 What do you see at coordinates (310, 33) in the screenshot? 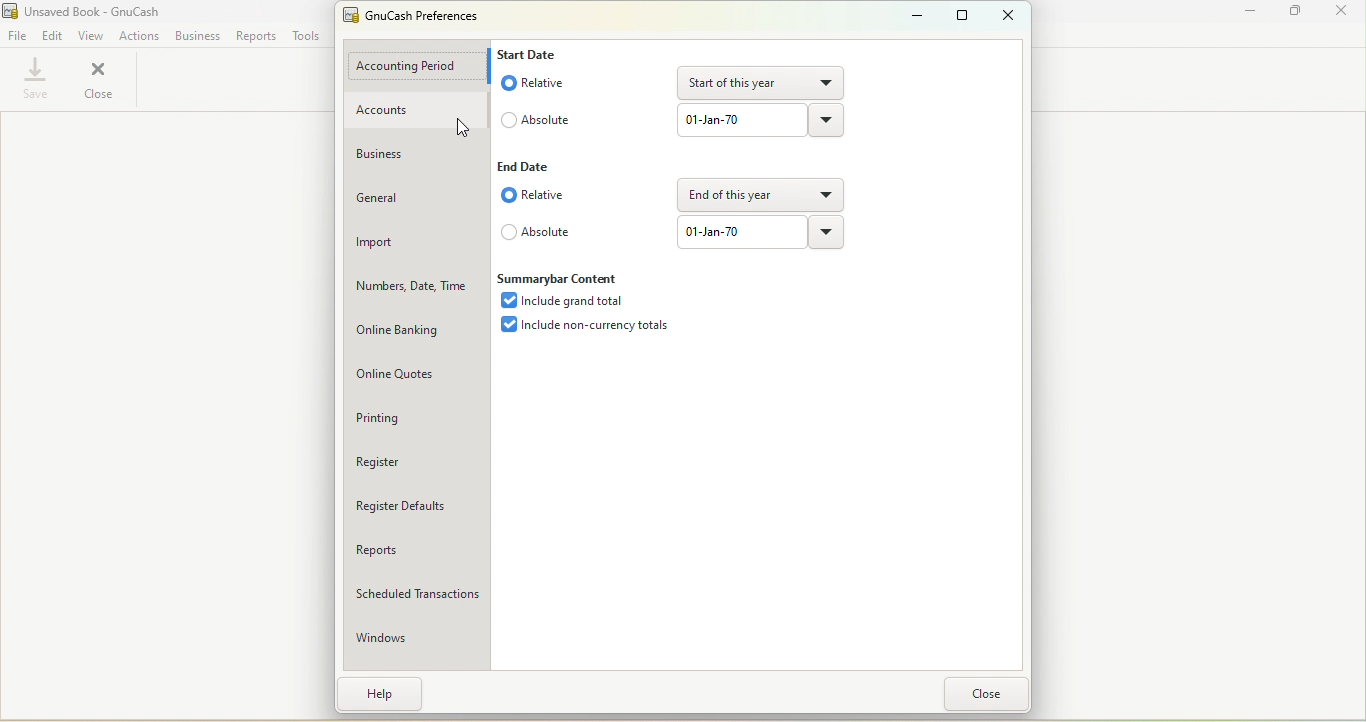
I see `Tools` at bounding box center [310, 33].